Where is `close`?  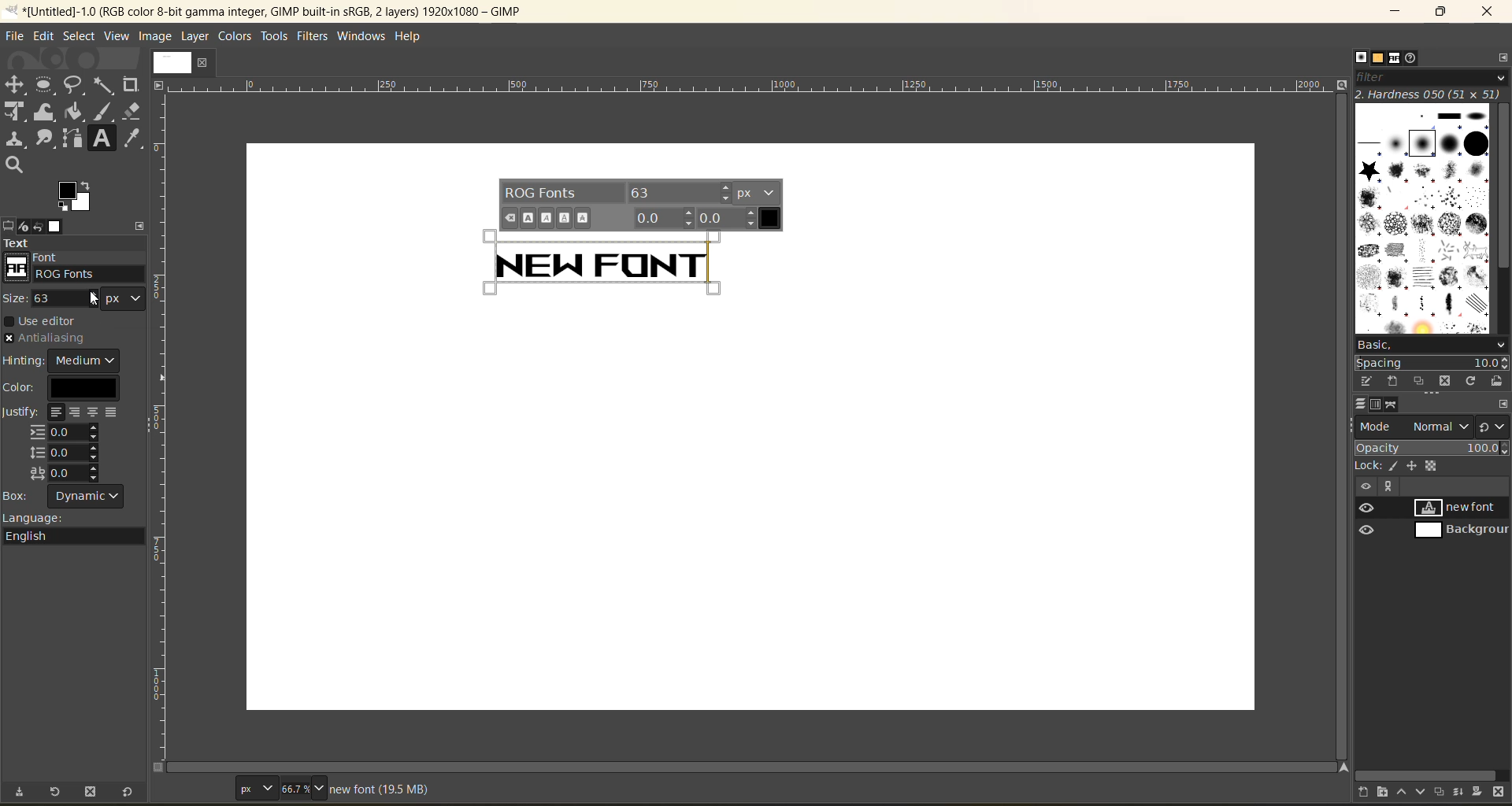
close is located at coordinates (1492, 12).